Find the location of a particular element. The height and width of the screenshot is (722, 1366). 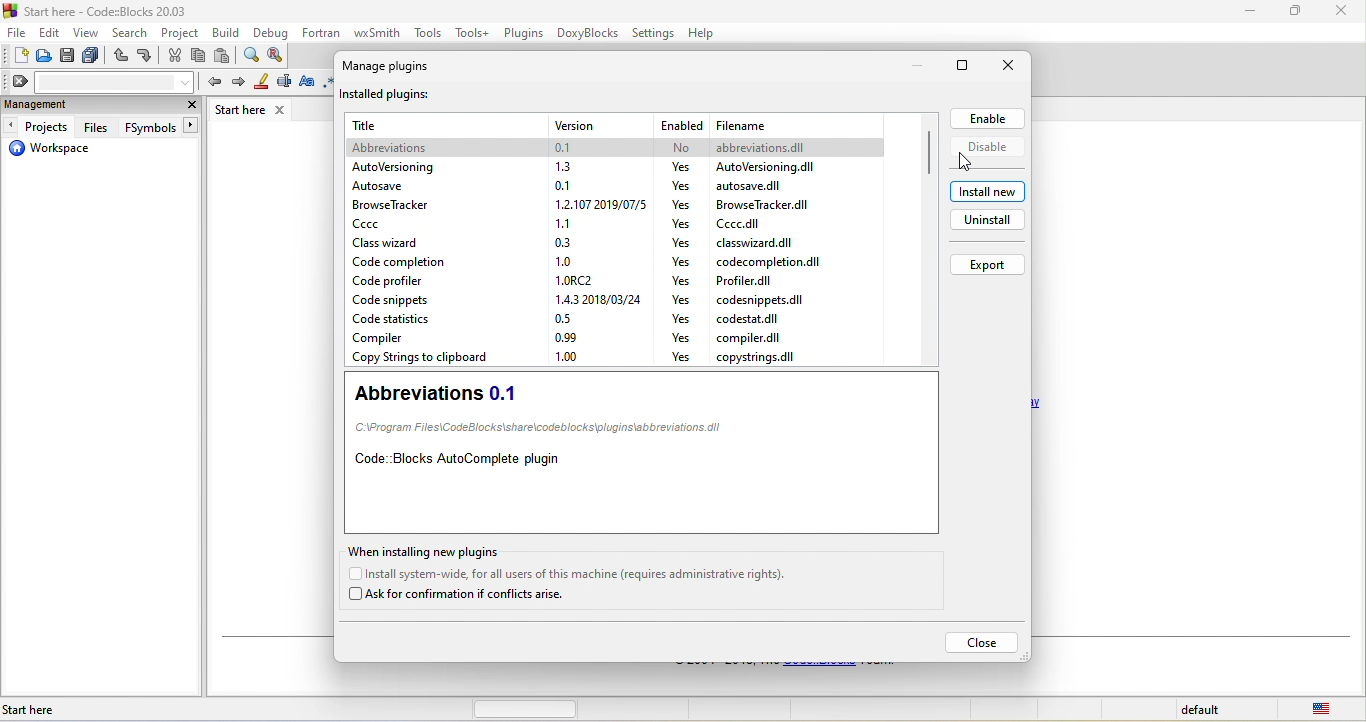

prev is located at coordinates (211, 80).